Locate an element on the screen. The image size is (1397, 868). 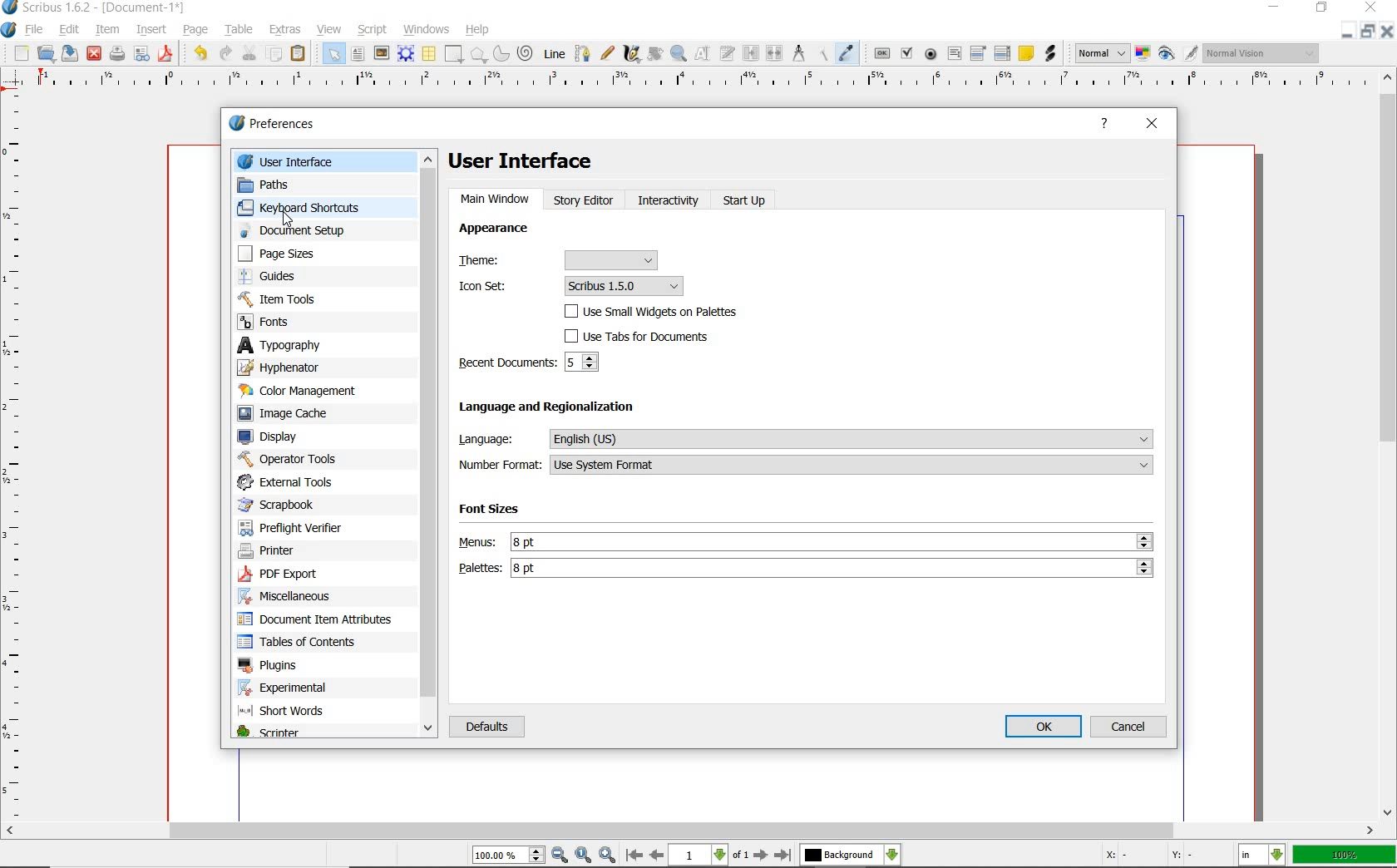
windows is located at coordinates (427, 30).